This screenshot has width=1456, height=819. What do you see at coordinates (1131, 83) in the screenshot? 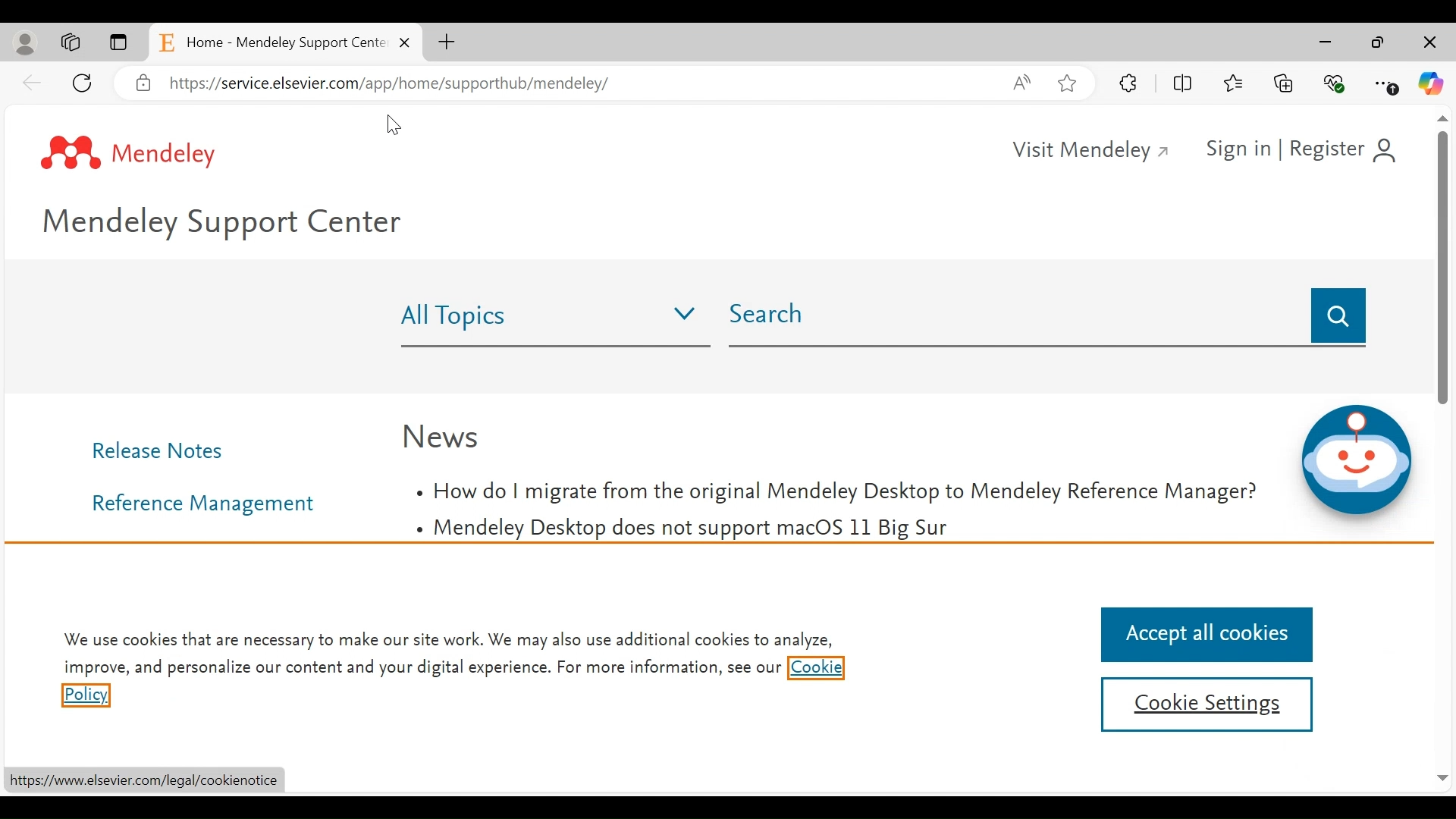
I see `Extensions` at bounding box center [1131, 83].